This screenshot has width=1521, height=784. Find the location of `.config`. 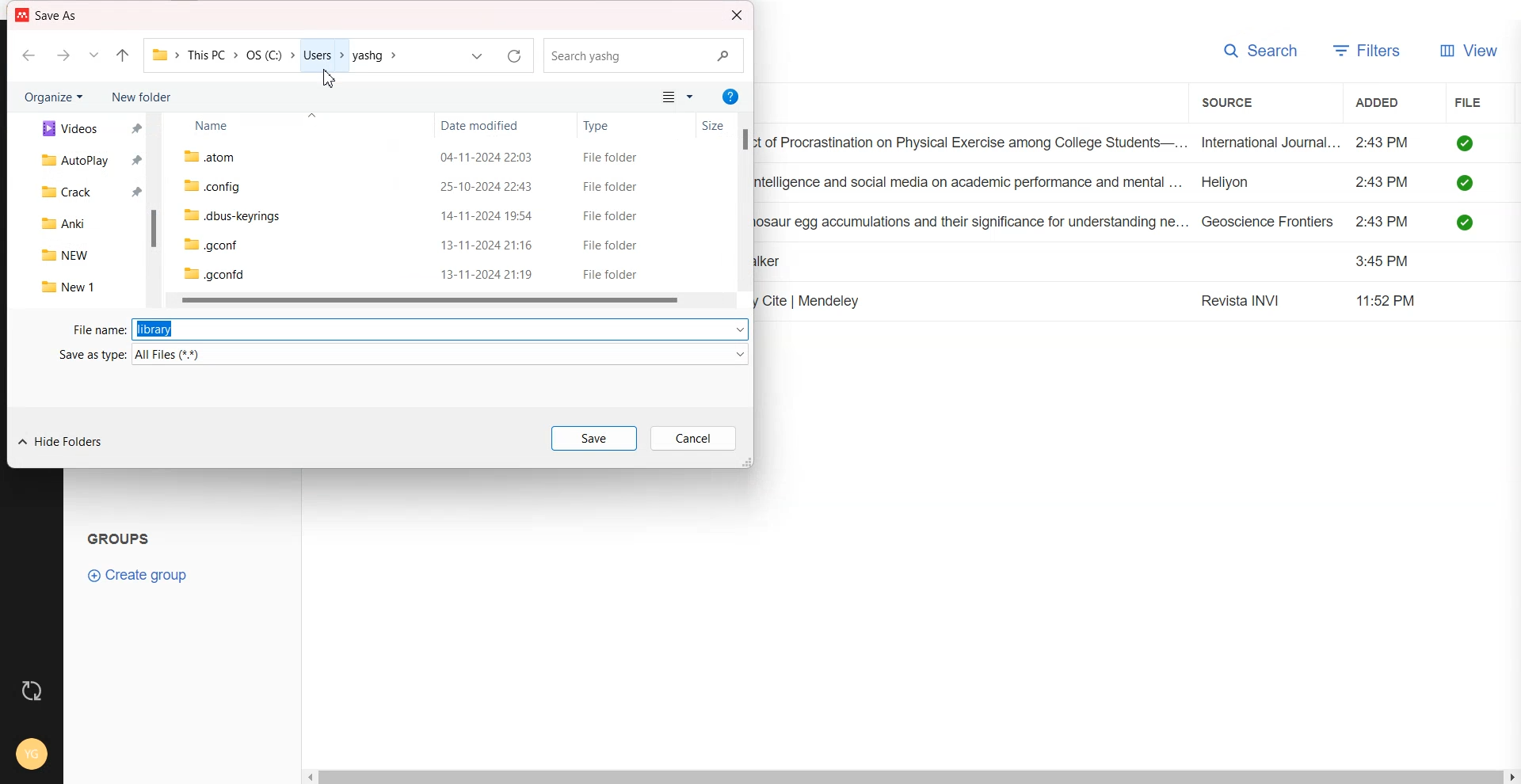

.config is located at coordinates (223, 186).